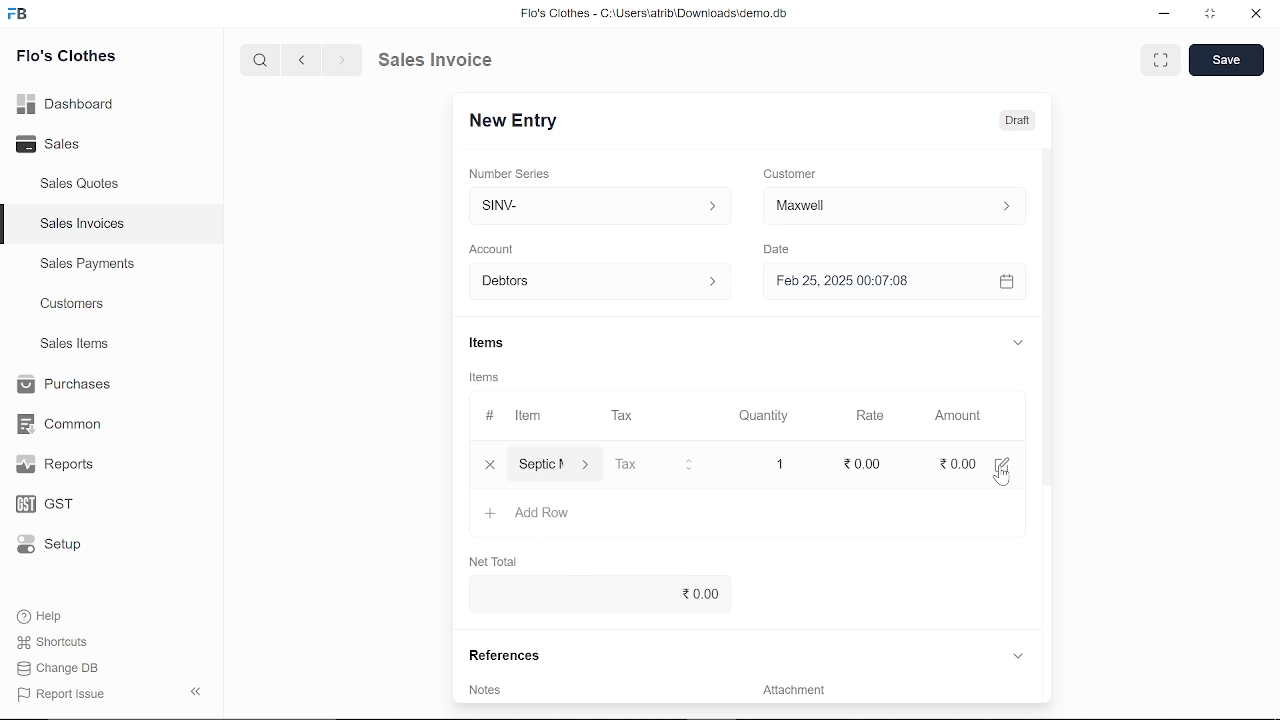 This screenshot has width=1280, height=720. Describe the element at coordinates (82, 224) in the screenshot. I see `Sales Invoices` at that location.